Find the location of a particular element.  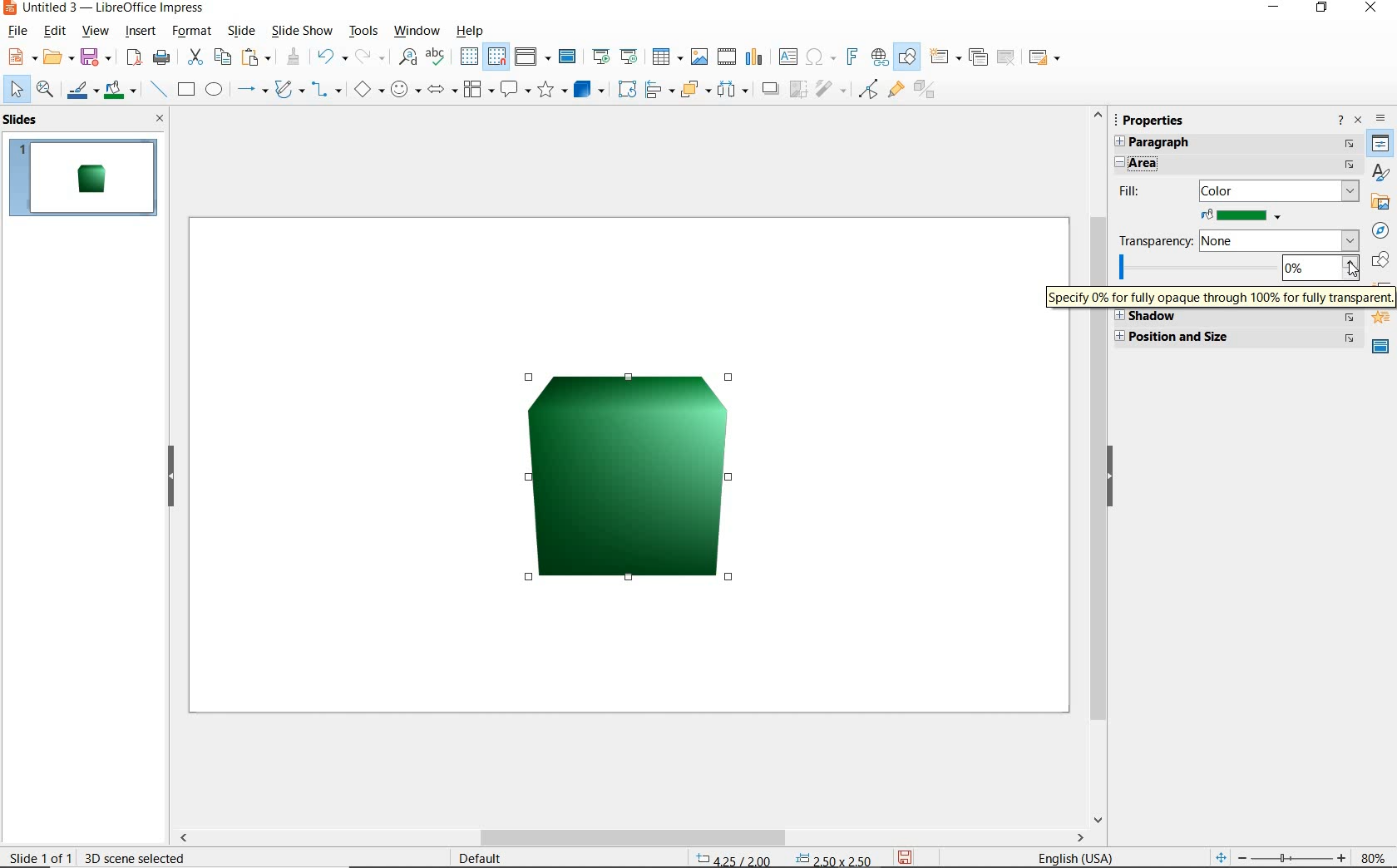

AREA is located at coordinates (1237, 165).